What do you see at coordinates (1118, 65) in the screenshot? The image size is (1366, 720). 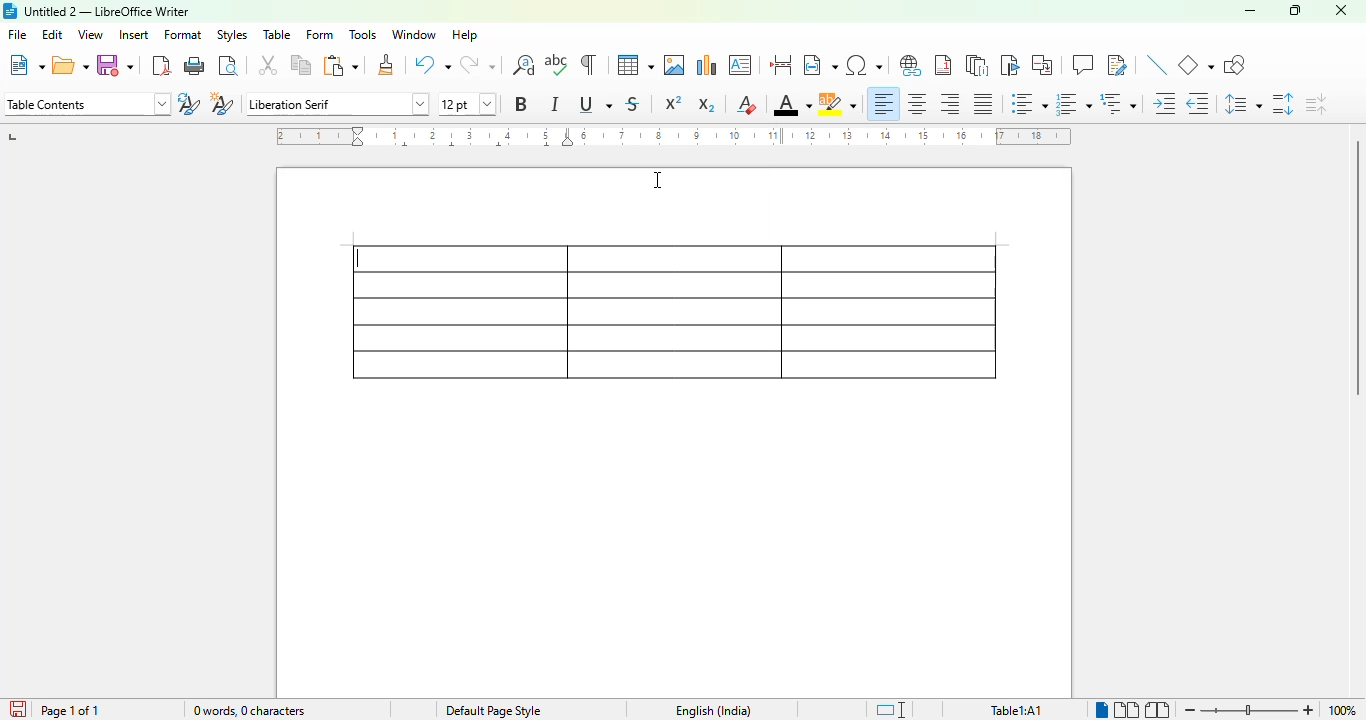 I see `show track changes functions` at bounding box center [1118, 65].